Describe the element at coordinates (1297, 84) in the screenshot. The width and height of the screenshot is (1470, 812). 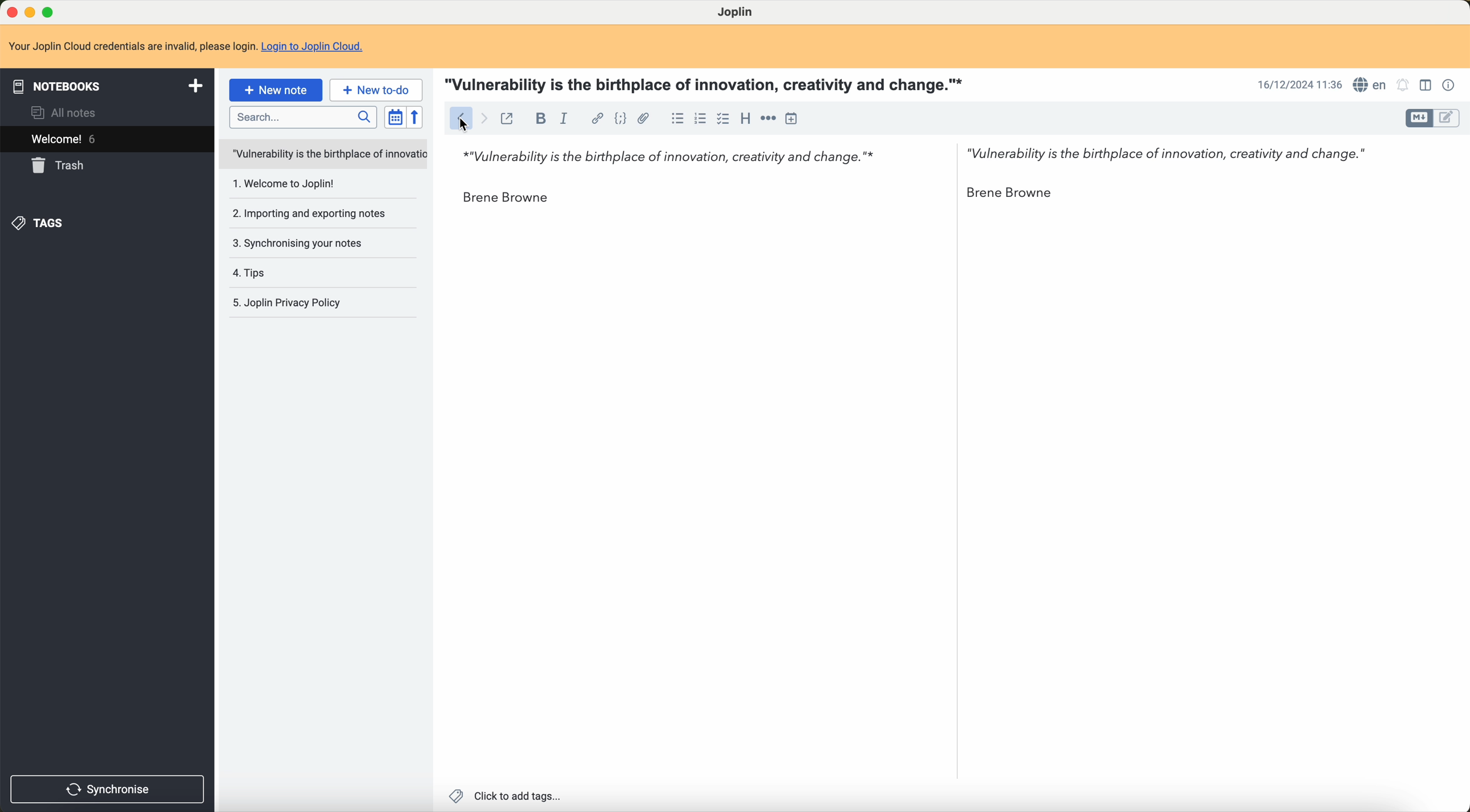
I see `date and hour` at that location.